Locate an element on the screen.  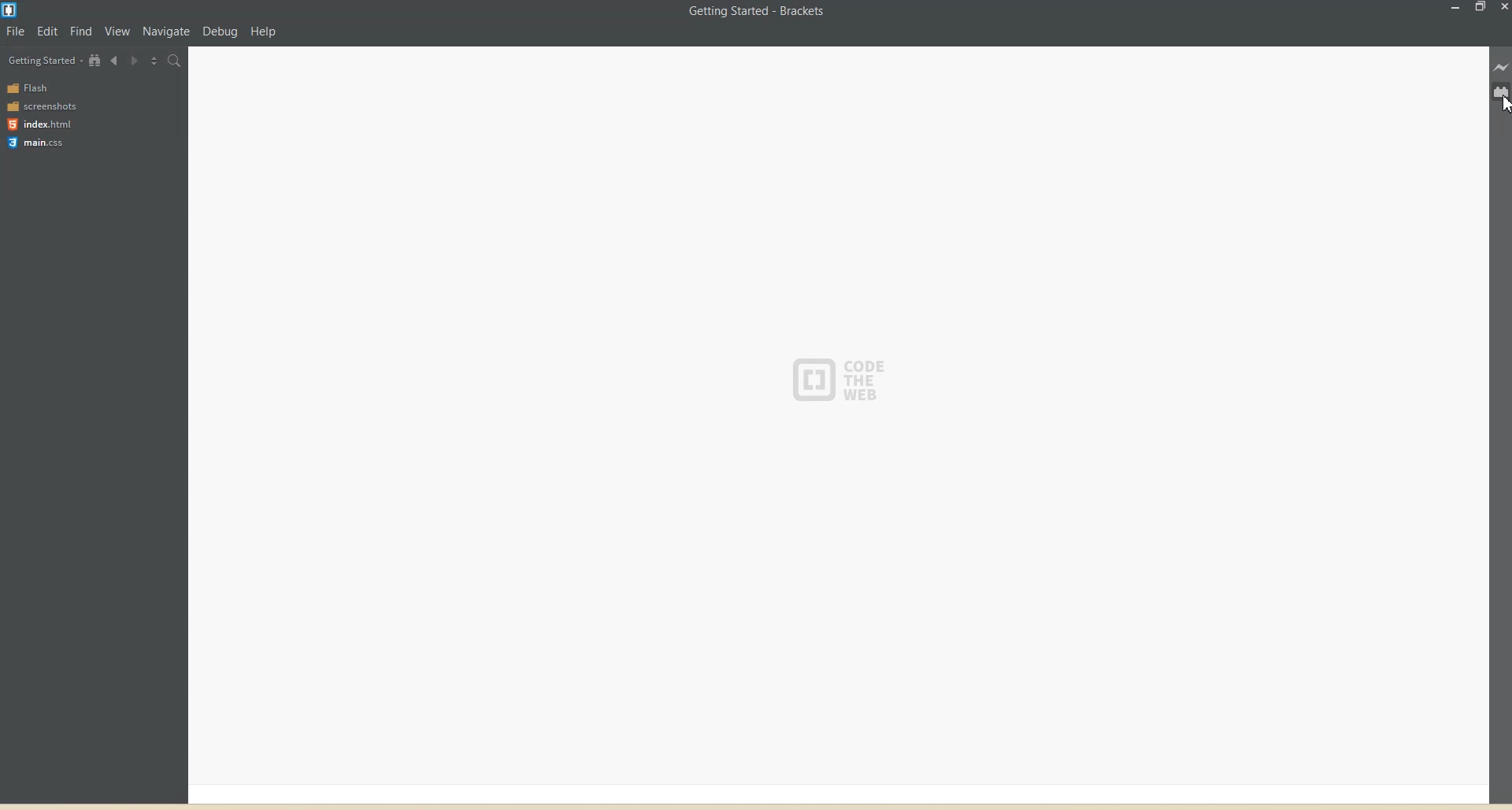
Debug is located at coordinates (220, 31).